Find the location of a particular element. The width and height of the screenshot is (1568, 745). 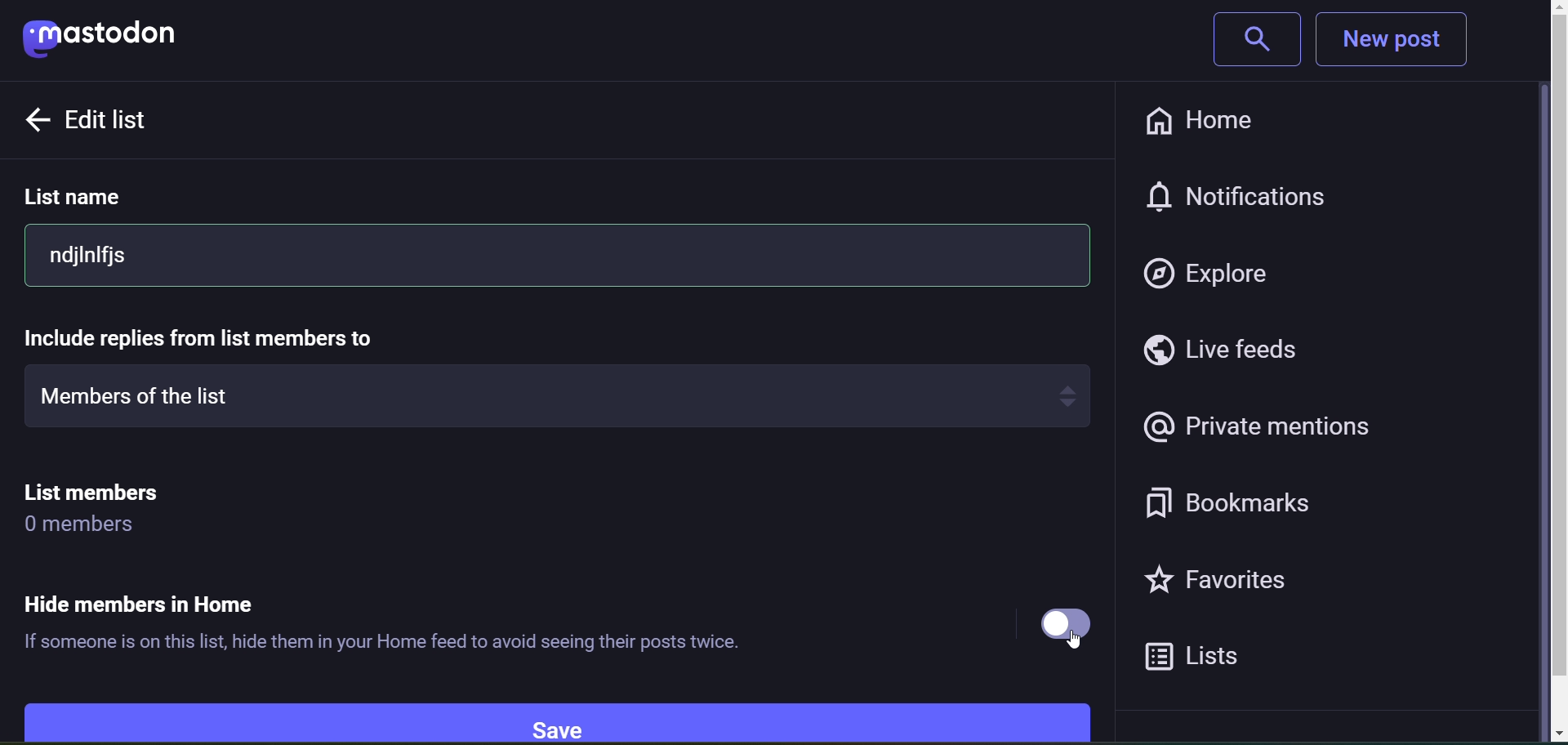

scroll bar is located at coordinates (1542, 377).